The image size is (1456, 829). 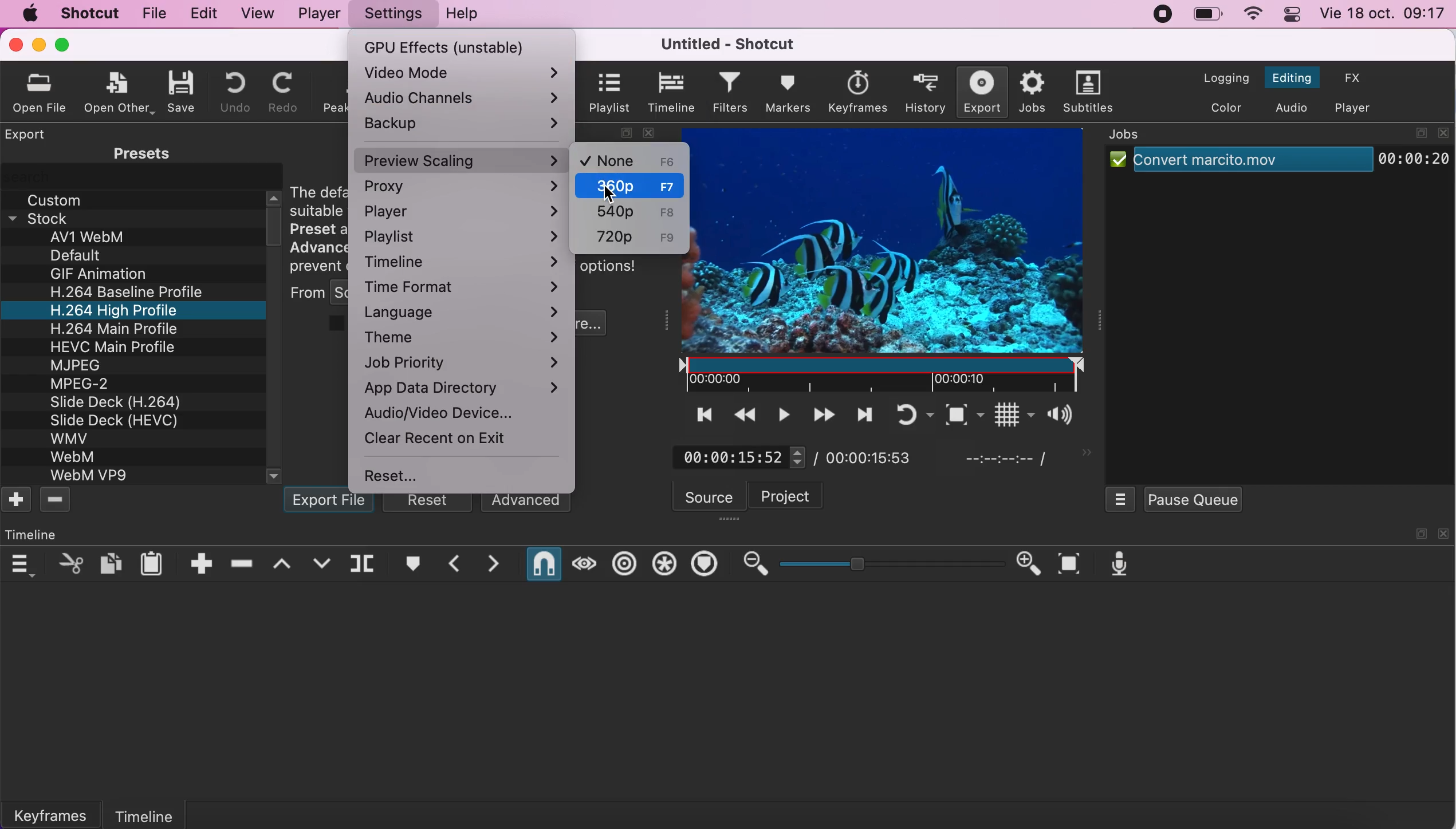 I want to click on WebM, so click(x=77, y=456).